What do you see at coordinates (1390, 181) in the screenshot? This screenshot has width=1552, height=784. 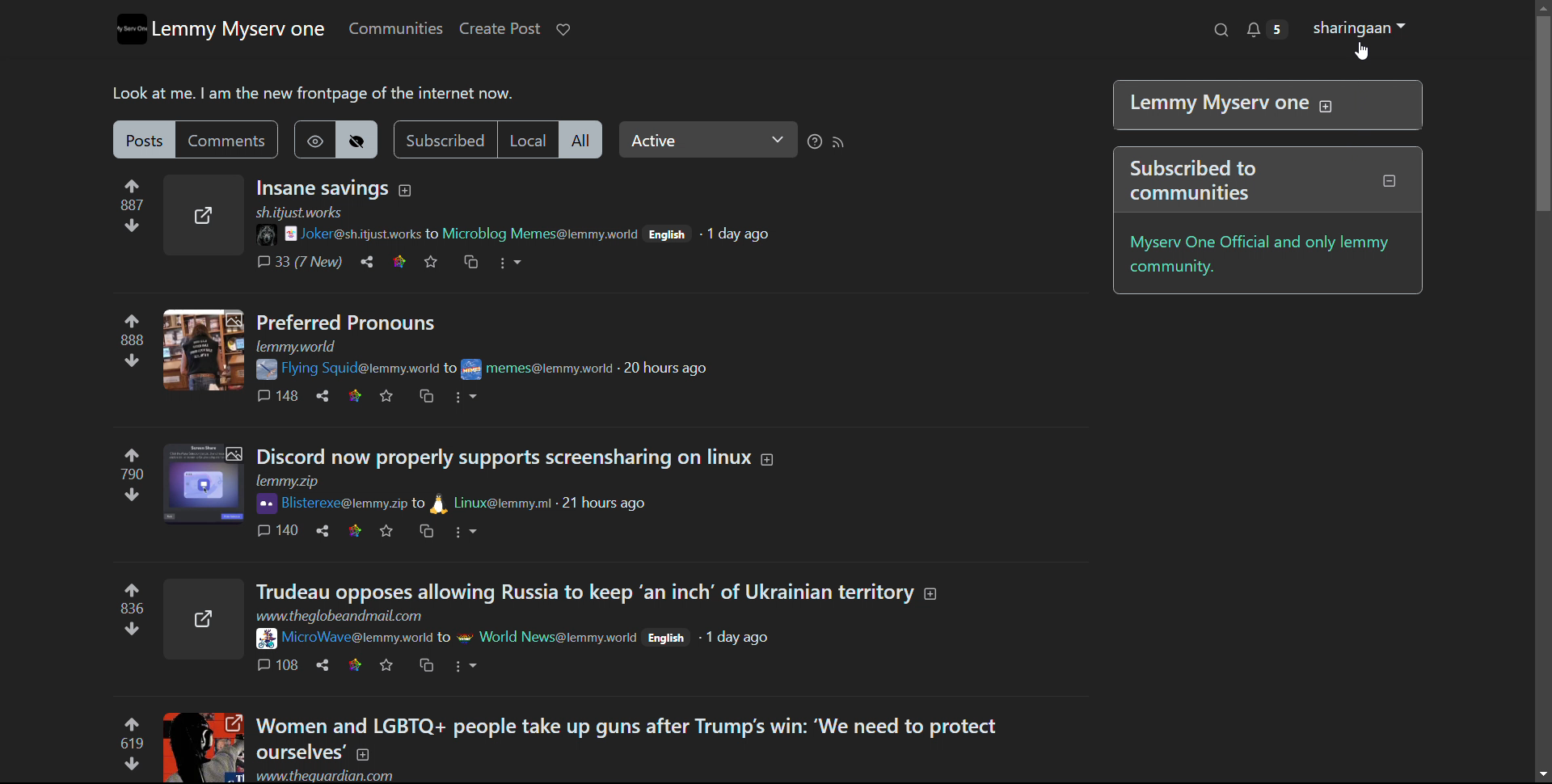 I see `collapse` at bounding box center [1390, 181].